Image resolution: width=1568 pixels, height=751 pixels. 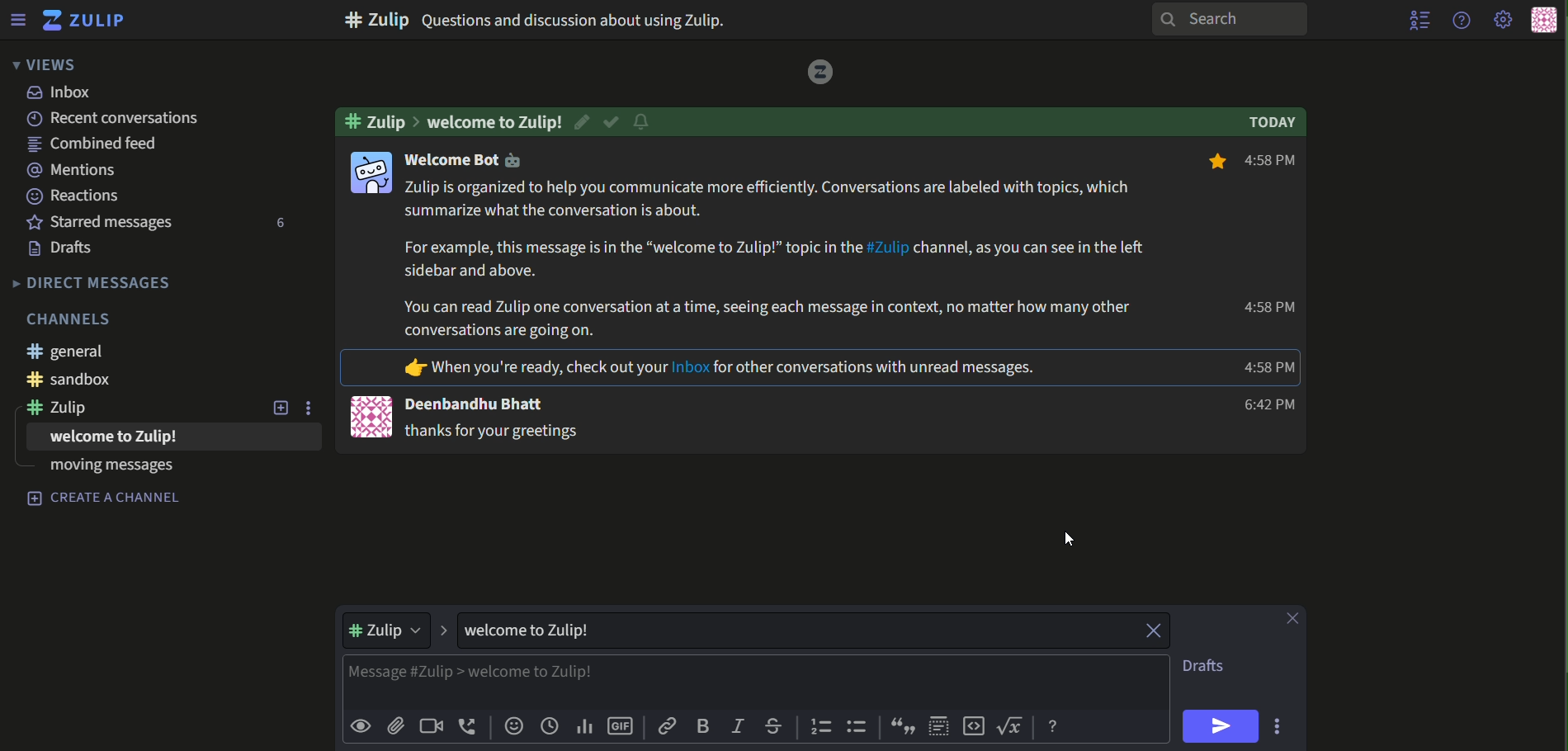 What do you see at coordinates (370, 172) in the screenshot?
I see `icon` at bounding box center [370, 172].